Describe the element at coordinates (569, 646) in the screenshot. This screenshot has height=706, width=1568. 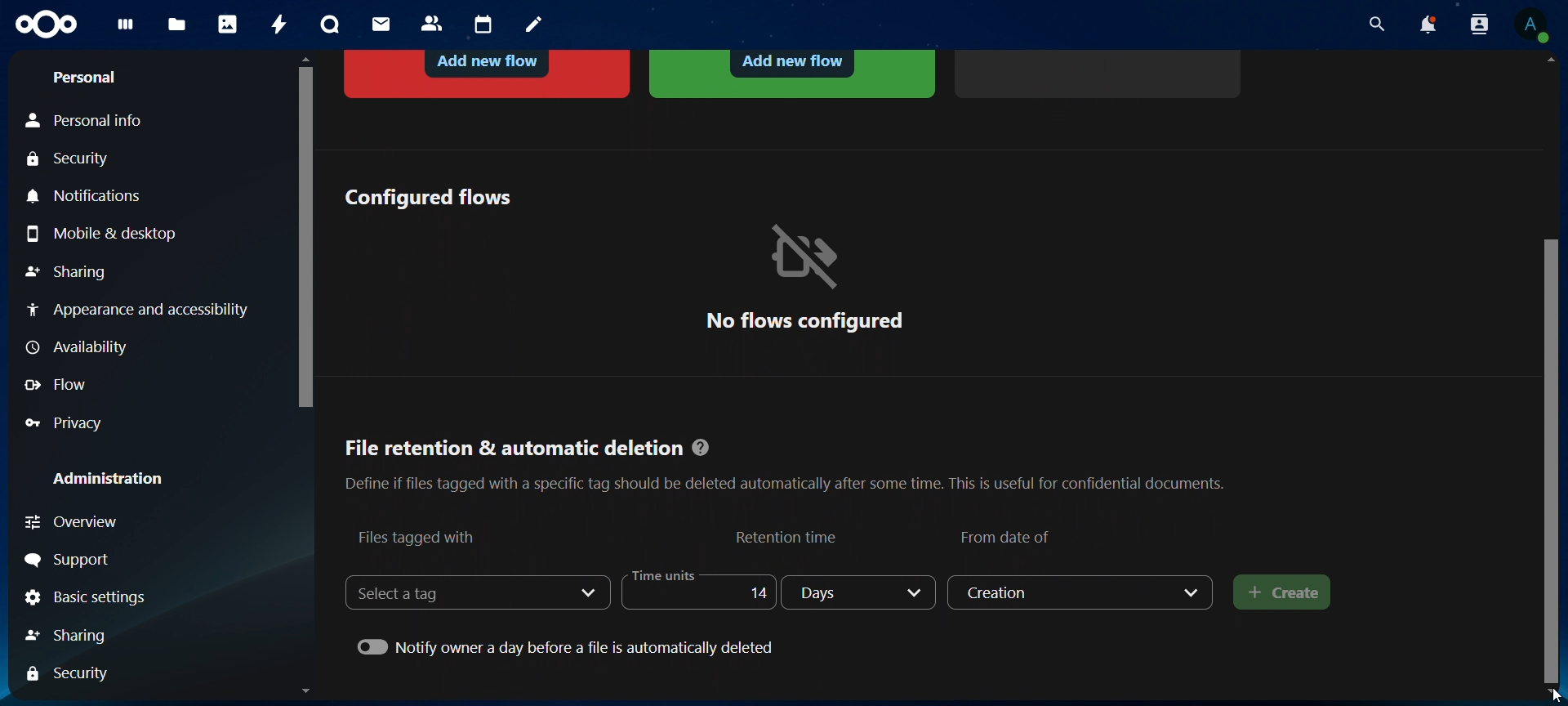
I see `notify owner a day before a file is automatically deleted` at that location.